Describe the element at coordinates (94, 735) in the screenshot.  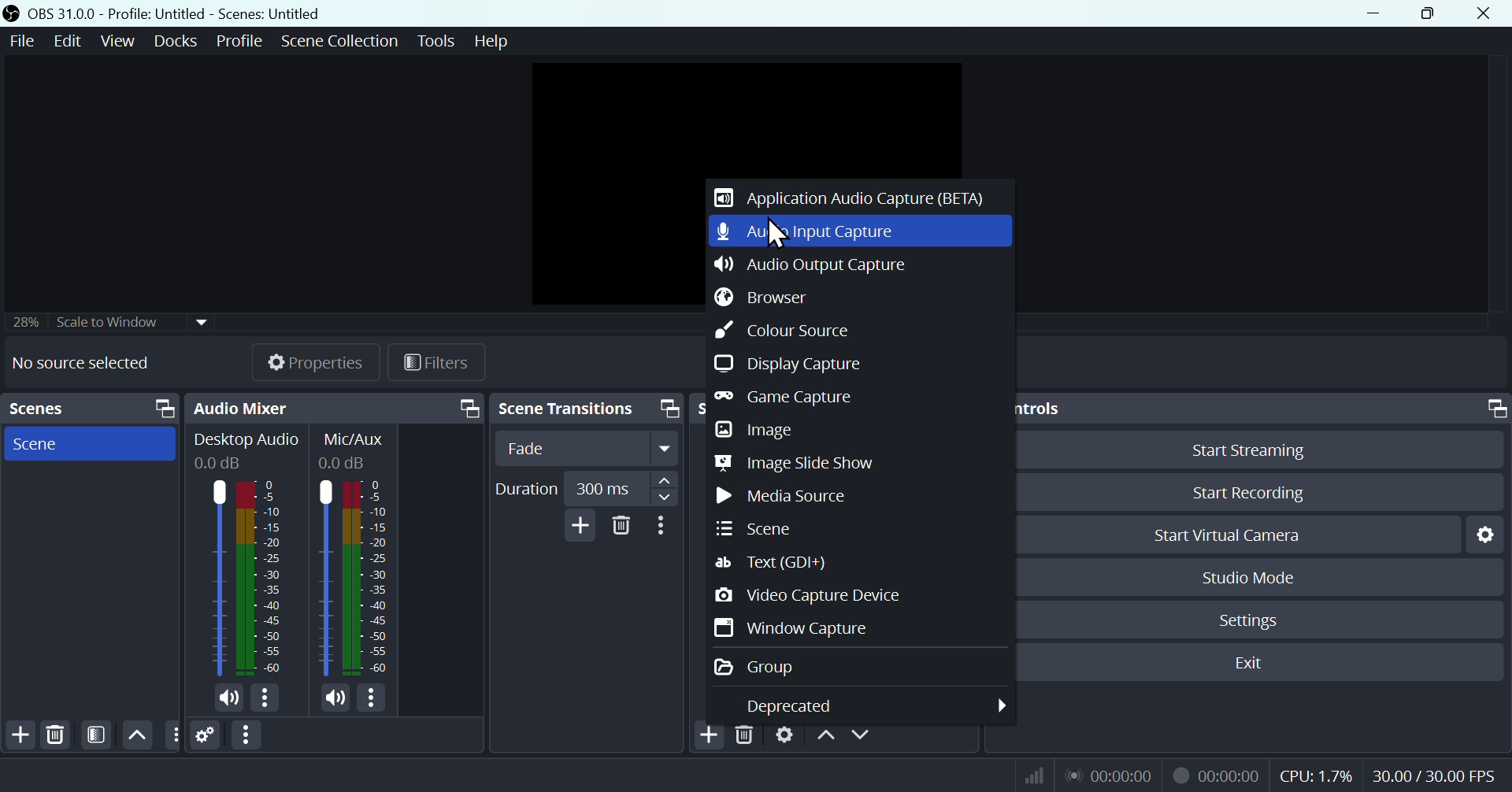
I see `FILTER` at that location.